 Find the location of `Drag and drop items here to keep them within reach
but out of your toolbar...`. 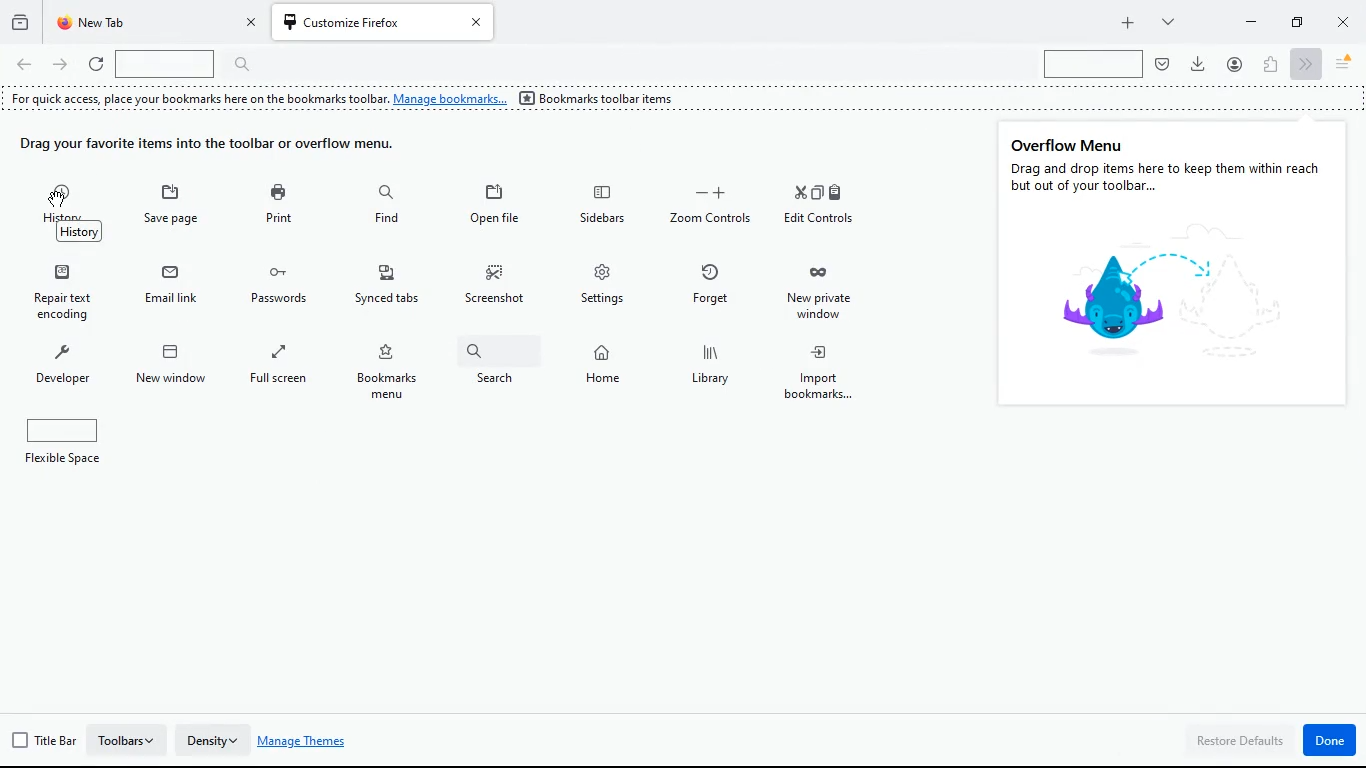

Drag and drop items here to keep them within reach
but out of your toolbar... is located at coordinates (1169, 178).